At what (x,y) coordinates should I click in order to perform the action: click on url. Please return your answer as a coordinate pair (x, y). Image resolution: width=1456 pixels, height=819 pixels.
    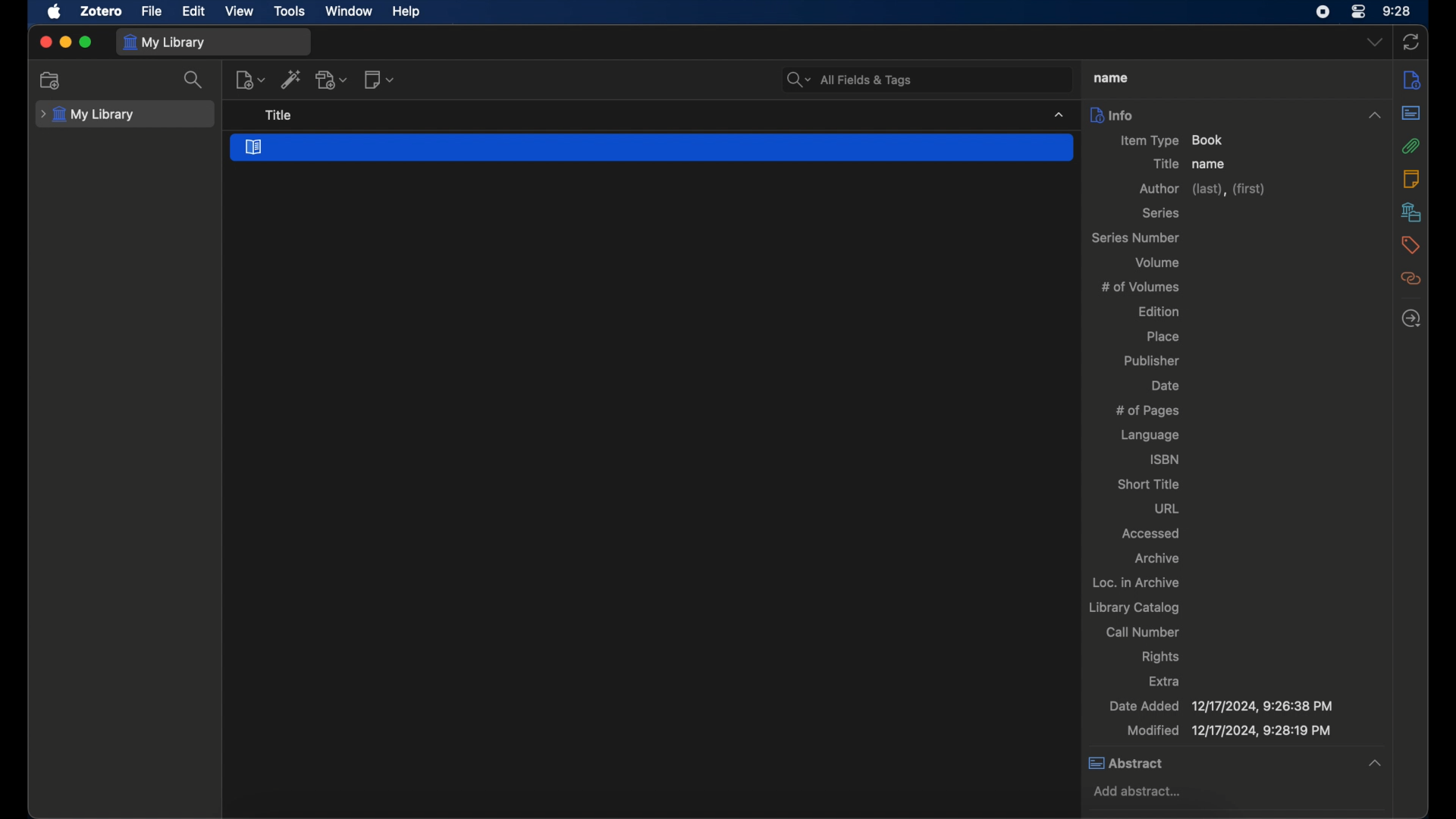
    Looking at the image, I should click on (1168, 509).